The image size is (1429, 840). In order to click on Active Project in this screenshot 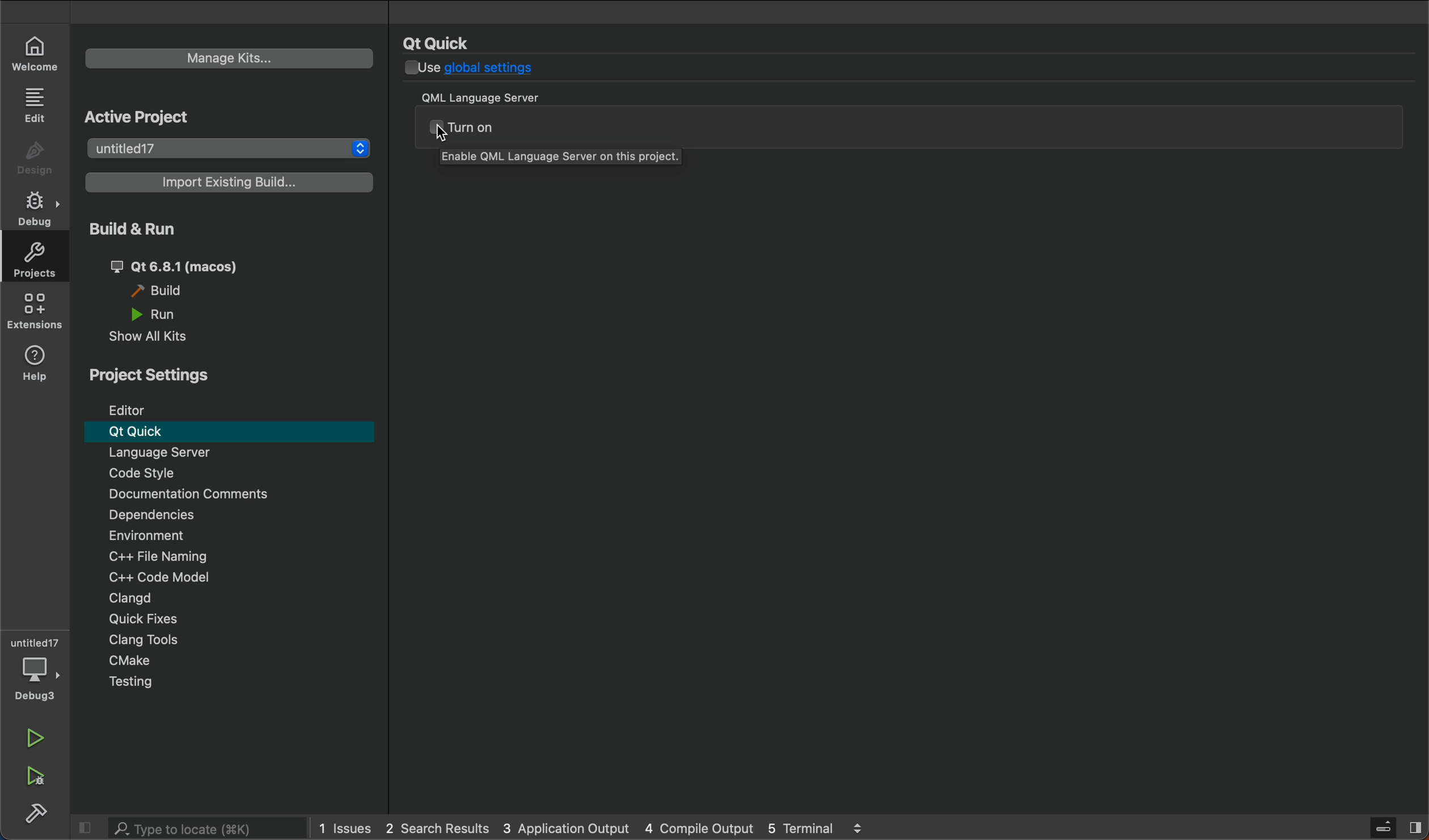, I will do `click(213, 112)`.